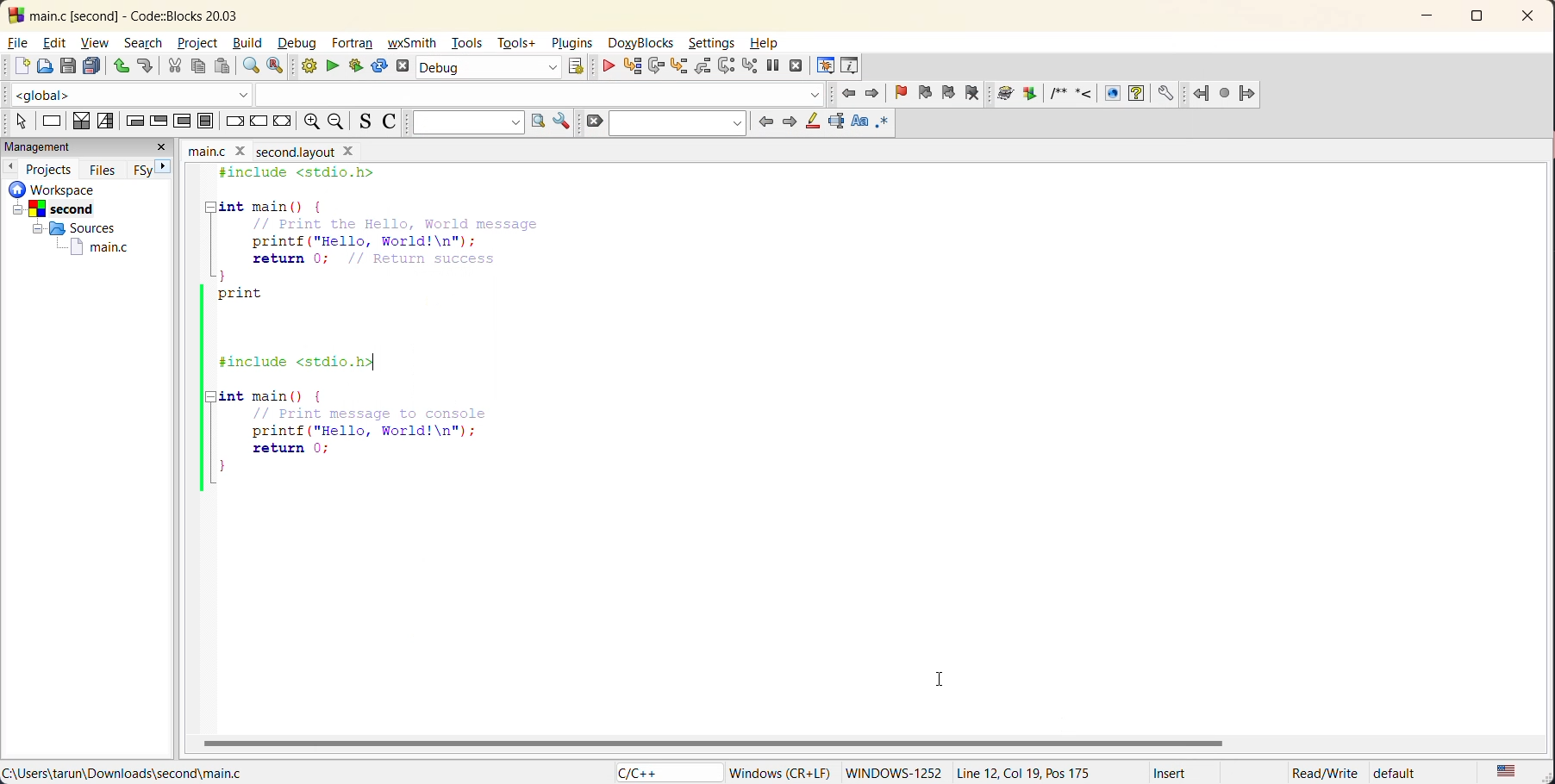  What do you see at coordinates (766, 123) in the screenshot?
I see `previous` at bounding box center [766, 123].